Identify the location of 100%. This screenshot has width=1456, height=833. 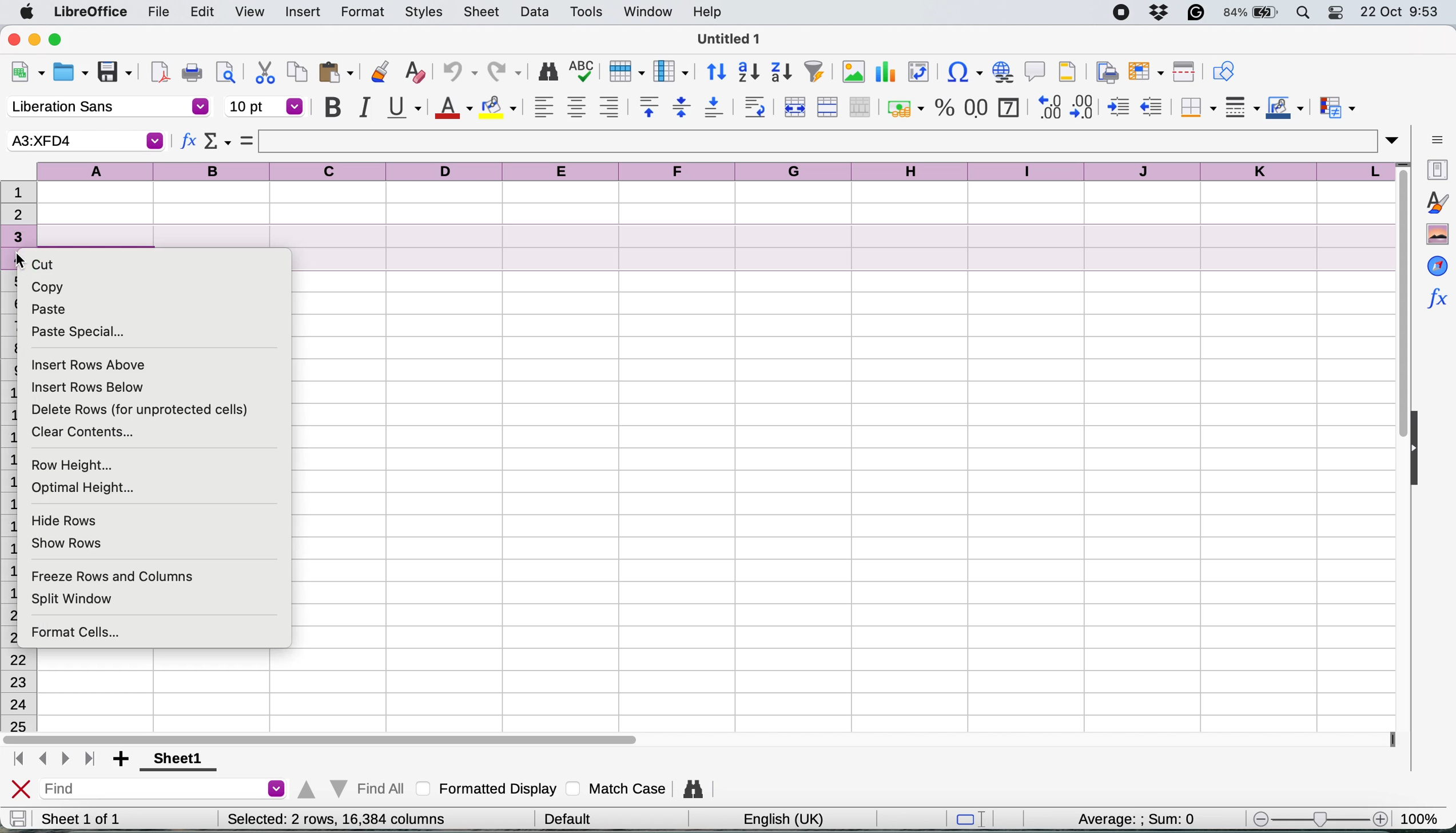
(1423, 816).